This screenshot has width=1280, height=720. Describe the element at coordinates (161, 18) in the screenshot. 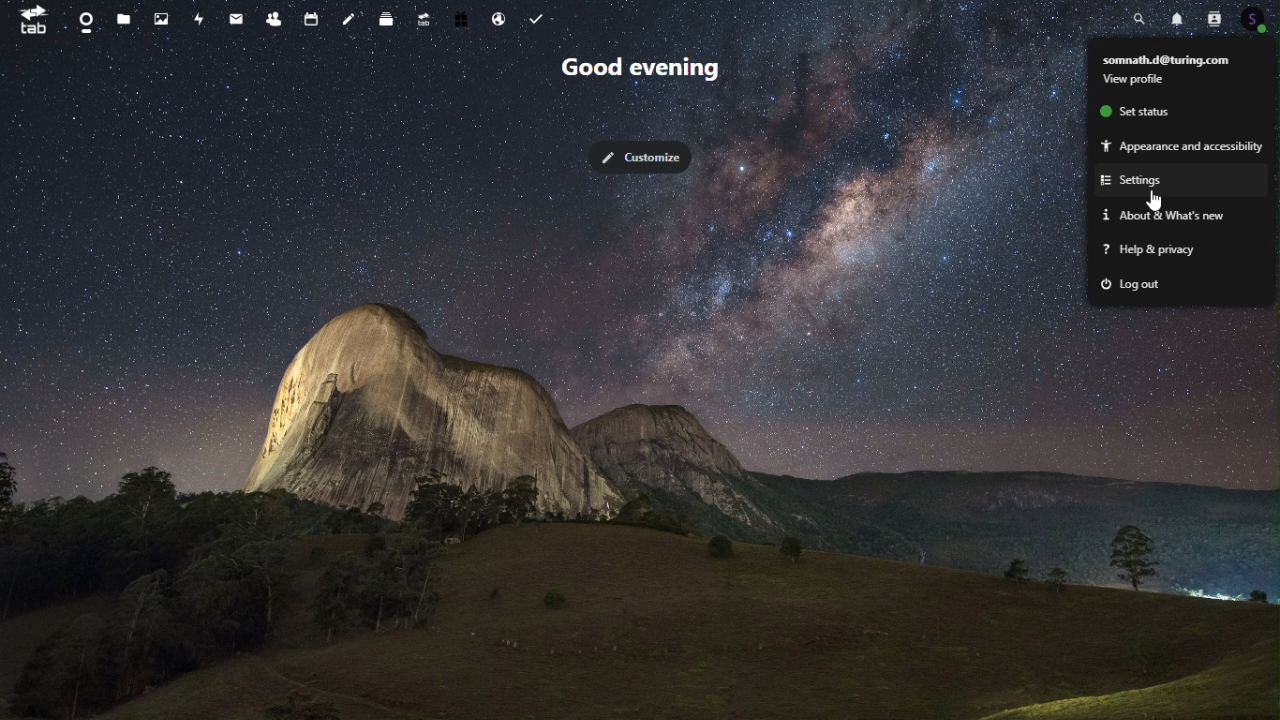

I see `photo` at that location.